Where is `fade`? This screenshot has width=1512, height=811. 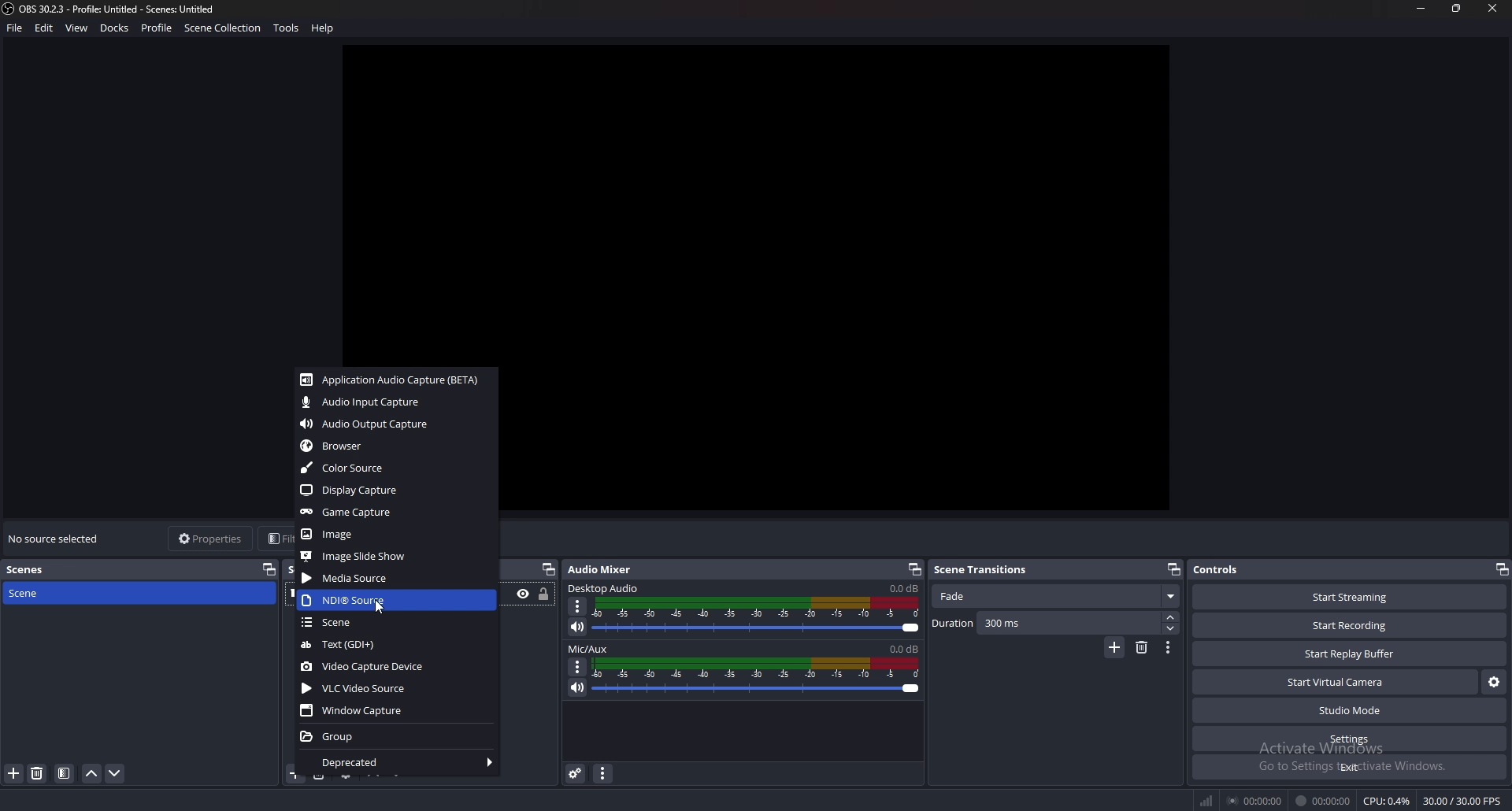 fade is located at coordinates (1055, 597).